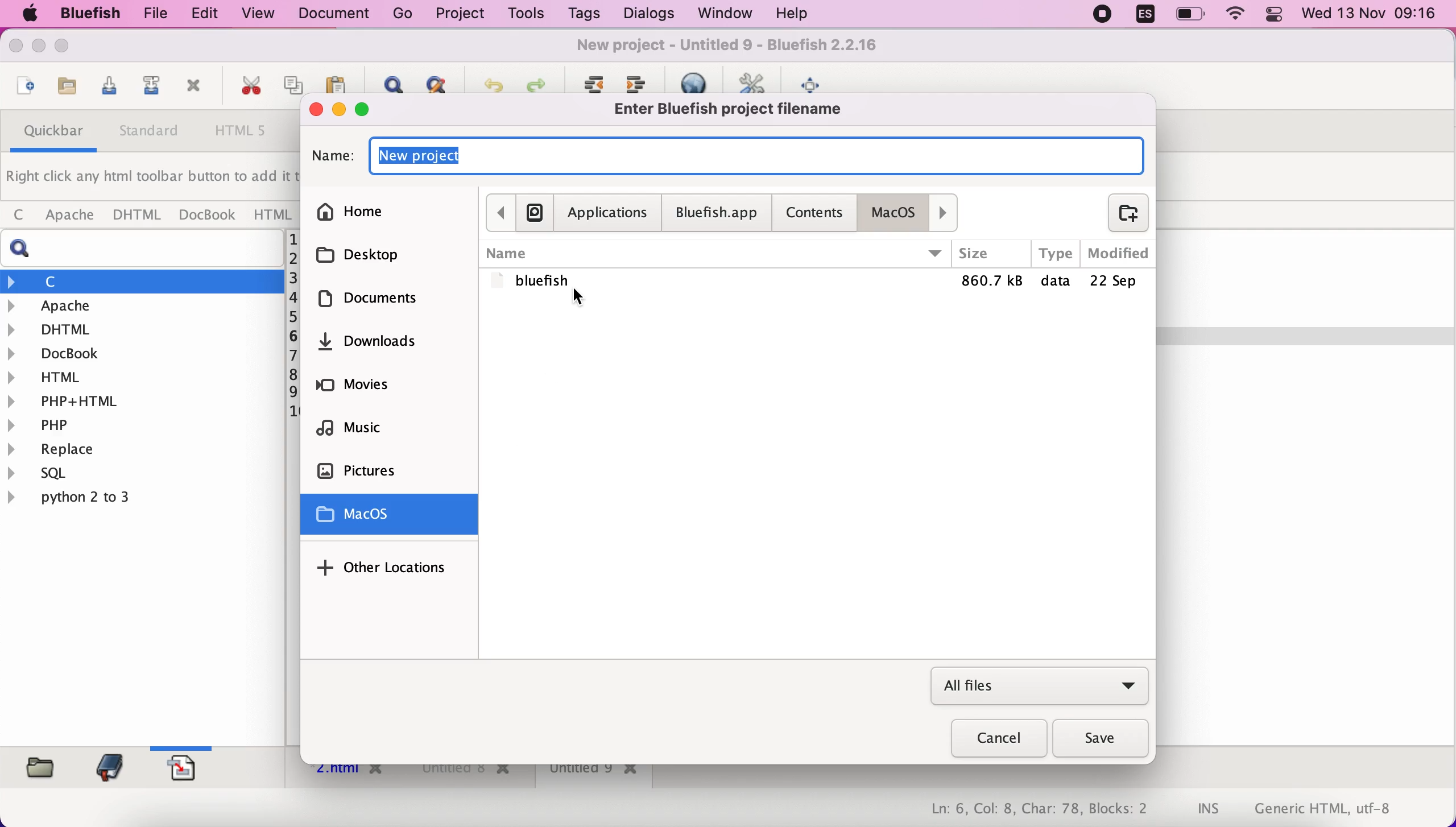 The height and width of the screenshot is (827, 1456). Describe the element at coordinates (608, 213) in the screenshot. I see `applications` at that location.